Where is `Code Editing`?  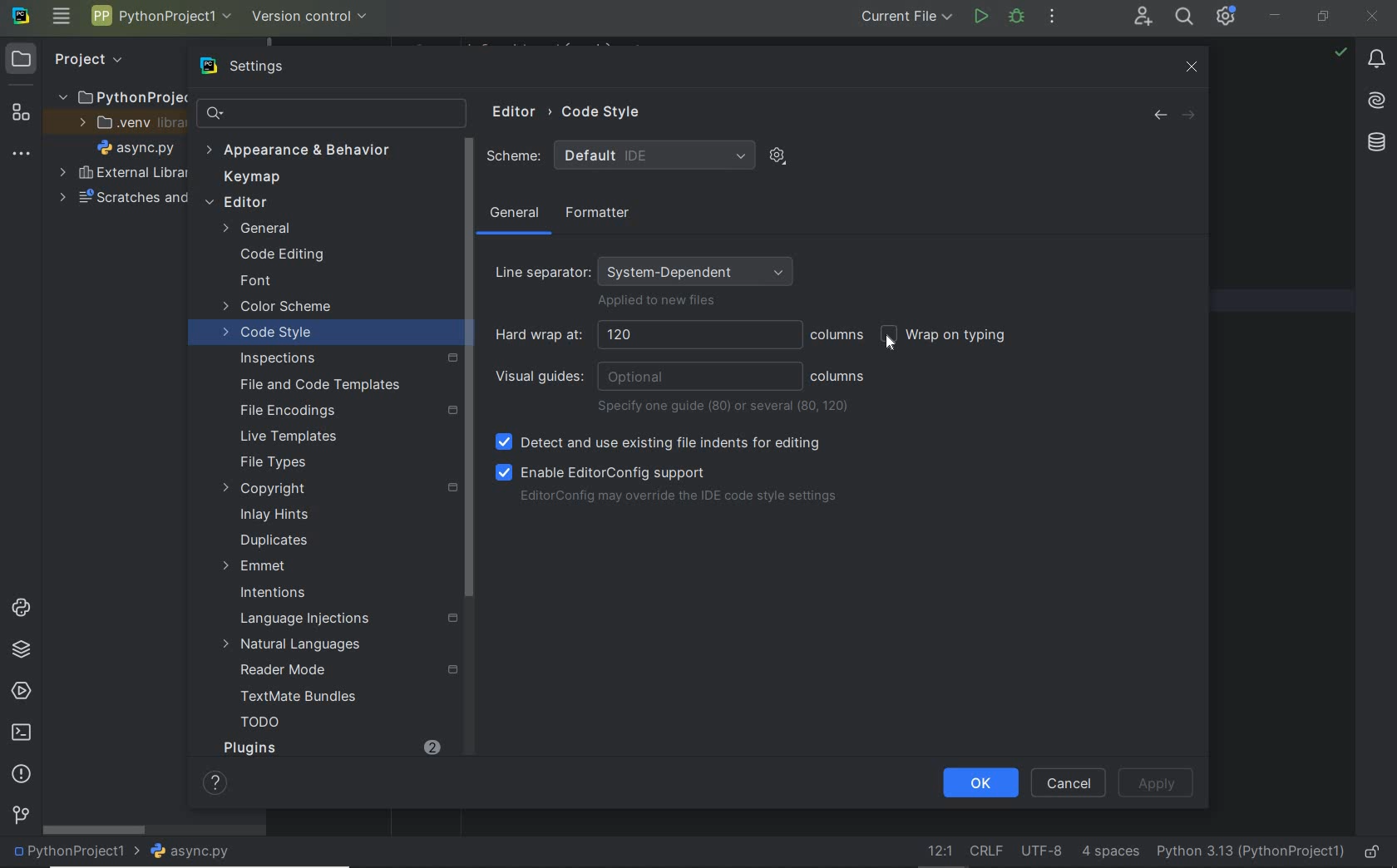
Code Editing is located at coordinates (284, 254).